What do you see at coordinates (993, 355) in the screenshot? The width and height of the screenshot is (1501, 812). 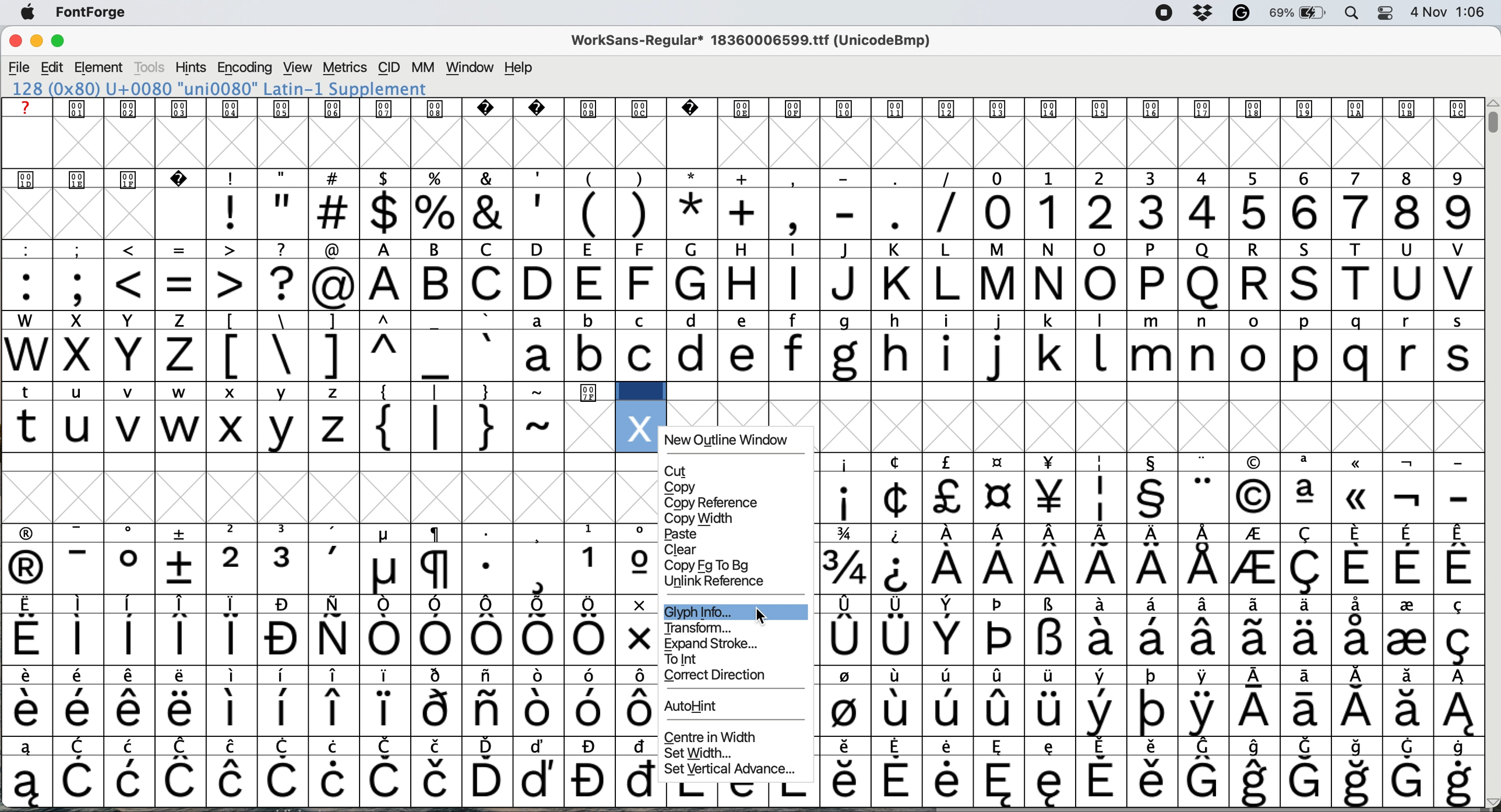 I see `lower case letters a to s` at bounding box center [993, 355].